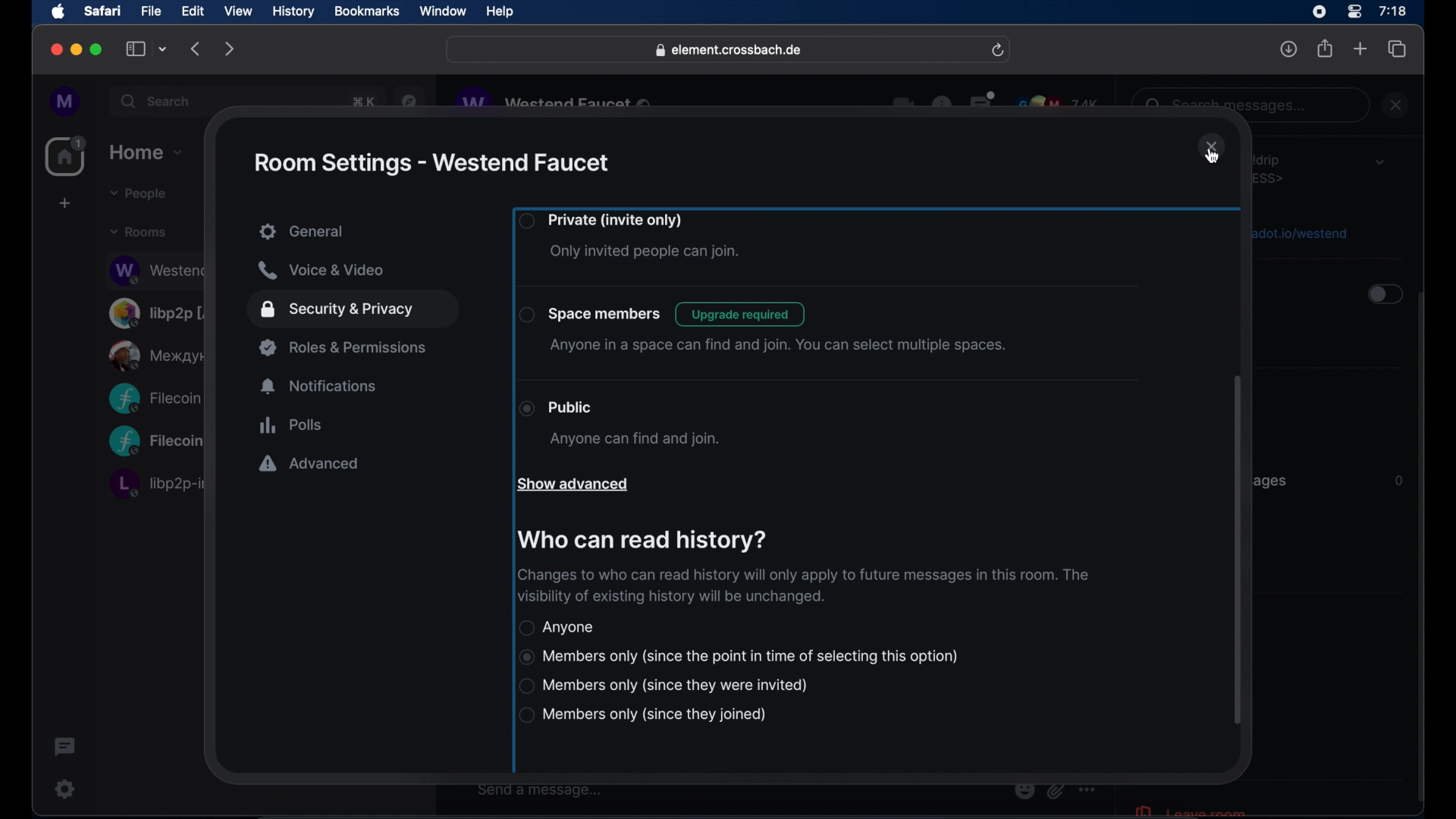 This screenshot has width=1456, height=819. Describe the element at coordinates (1383, 296) in the screenshot. I see `toggle button` at that location.